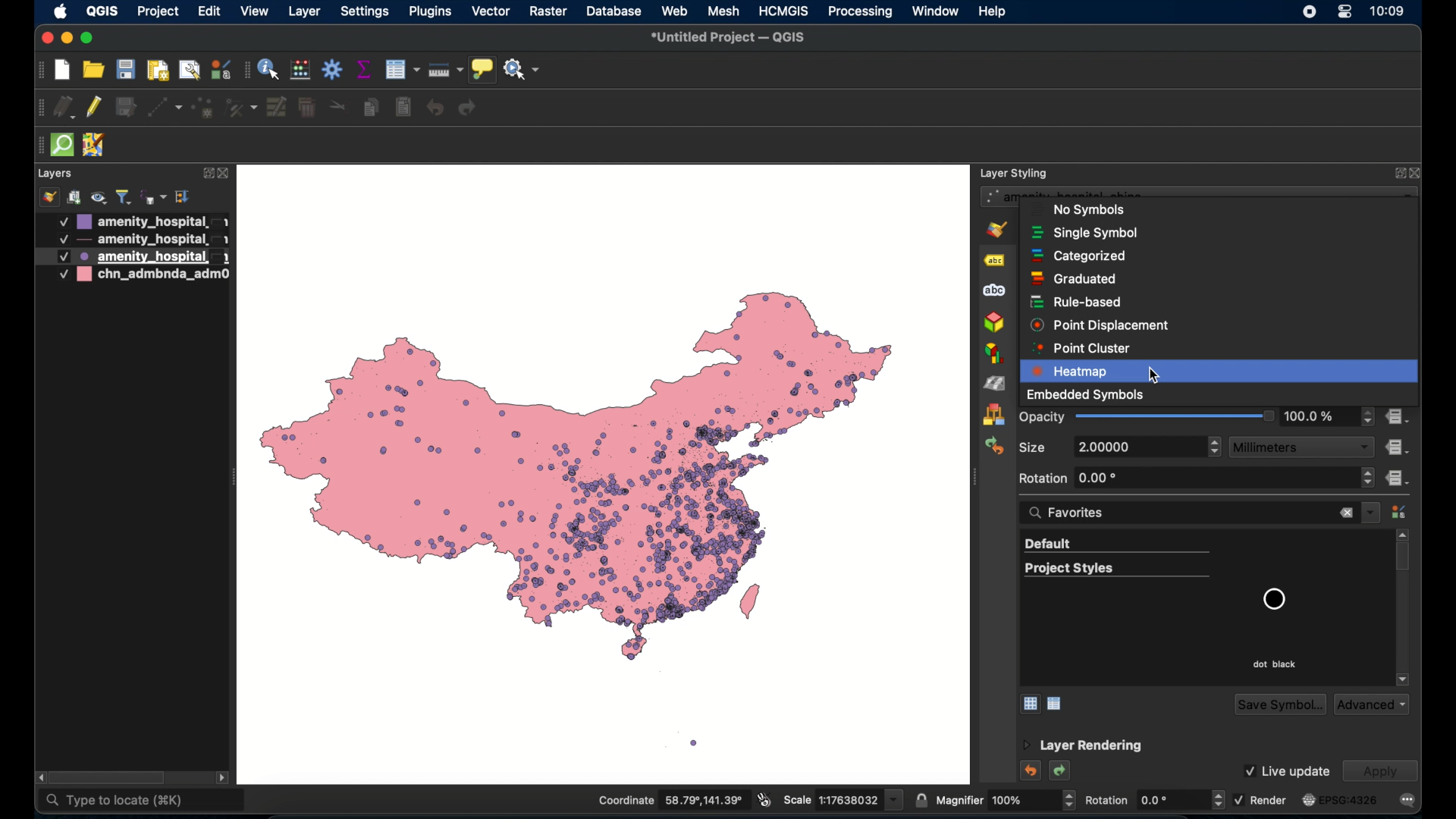  I want to click on heat map, so click(1220, 371).